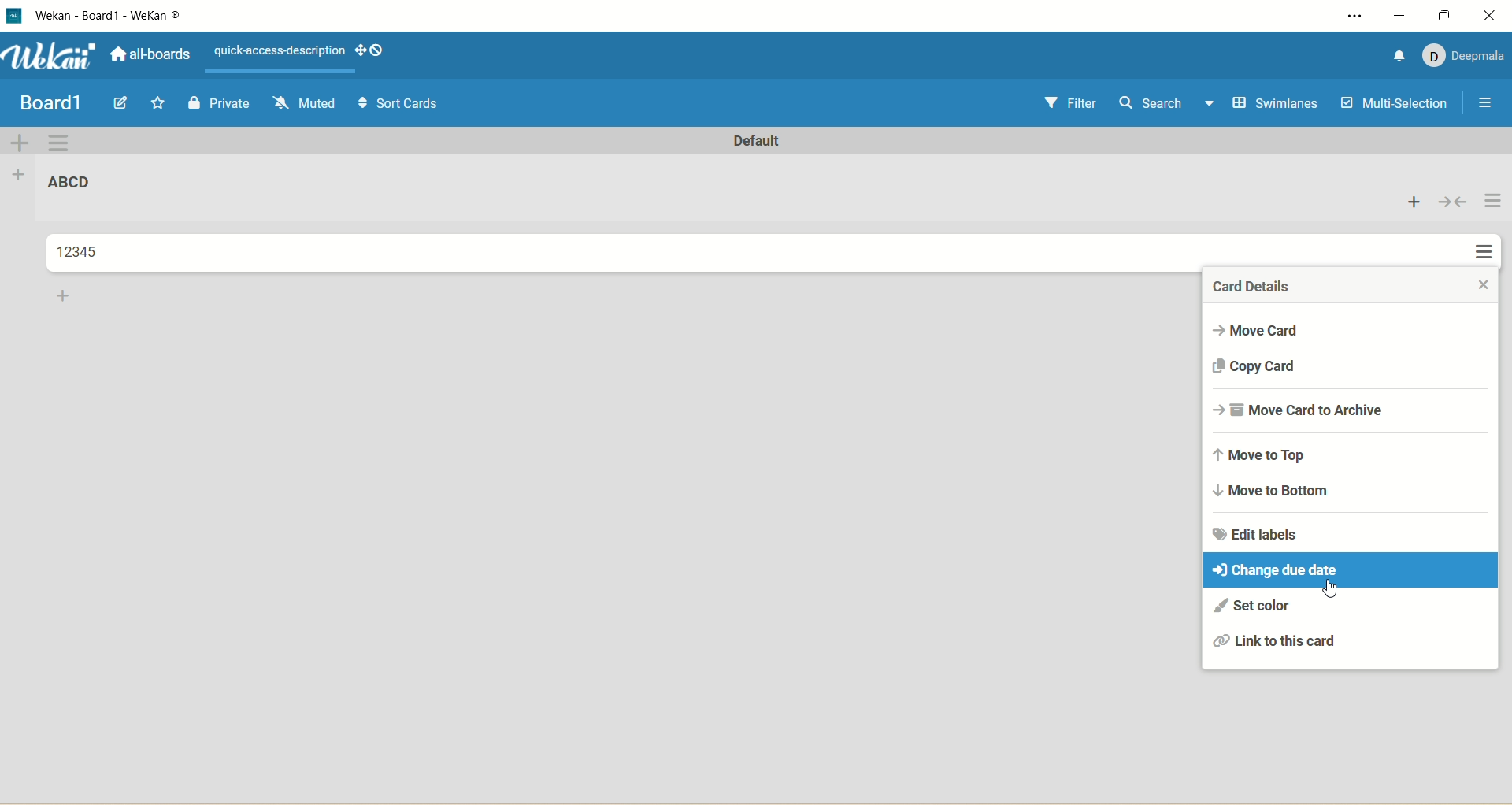 This screenshot has height=805, width=1512. Describe the element at coordinates (21, 142) in the screenshot. I see `add swimlane` at that location.